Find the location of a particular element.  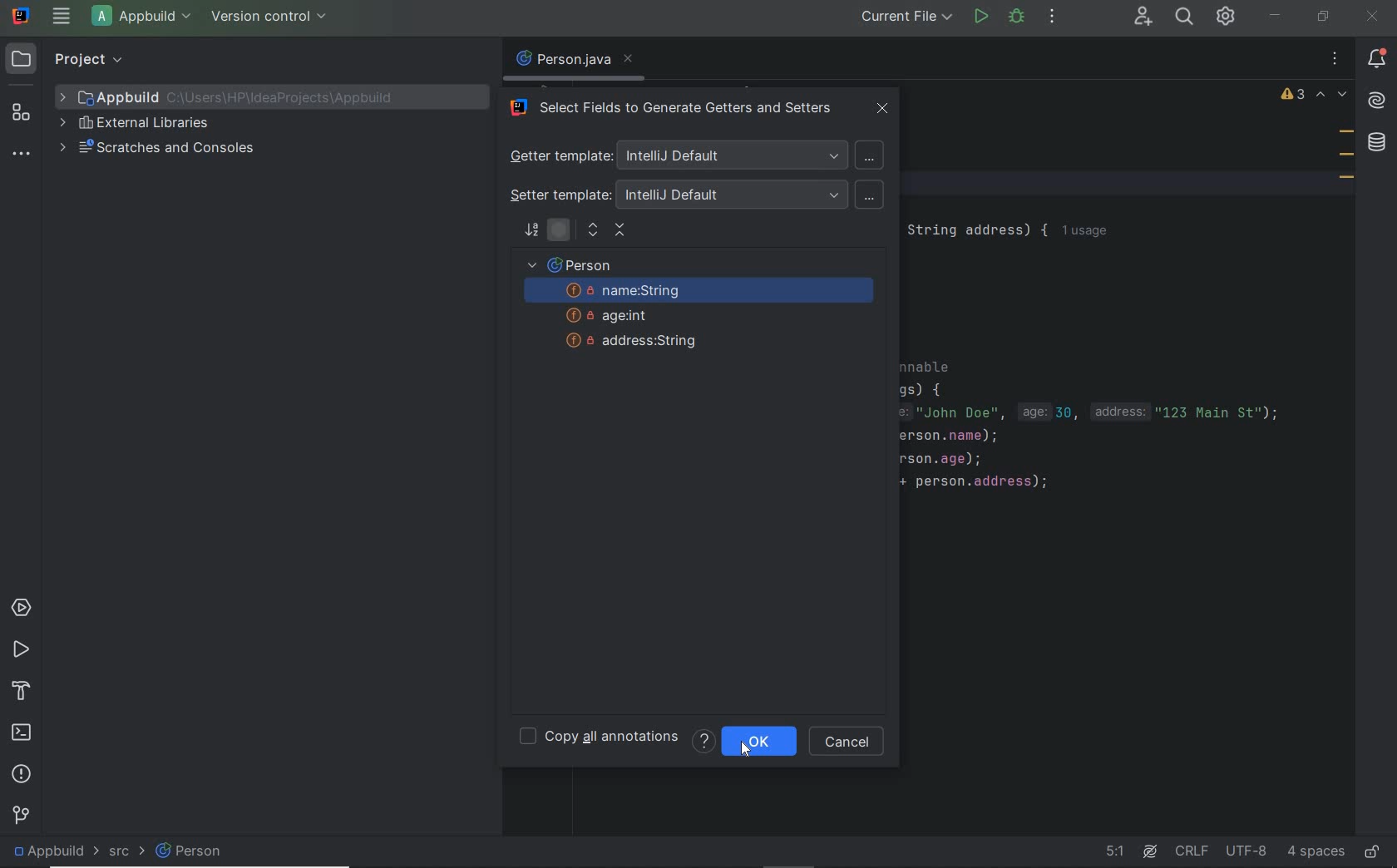

AI Assistant is located at coordinates (1149, 852).